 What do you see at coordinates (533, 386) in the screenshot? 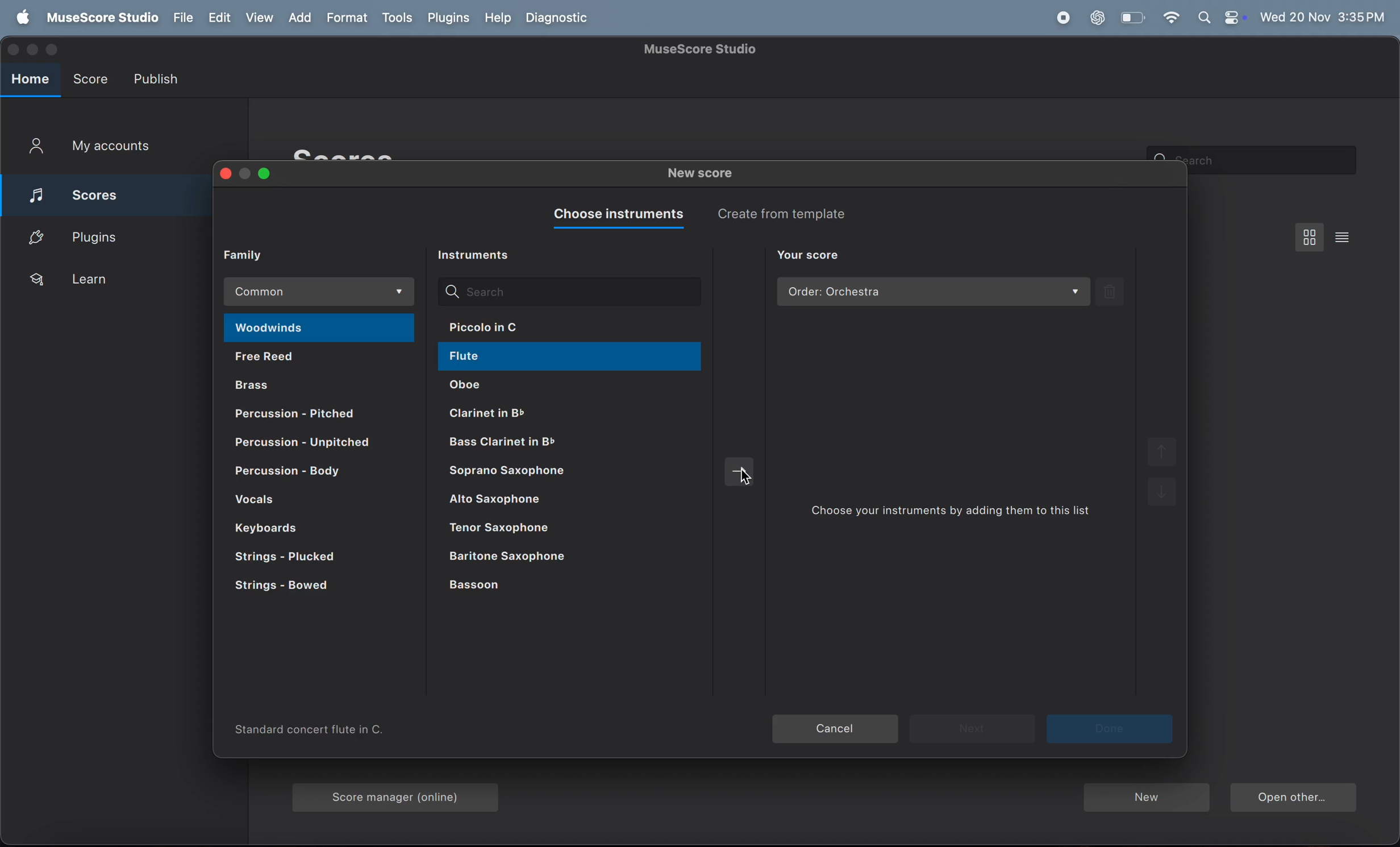
I see `oboe` at bounding box center [533, 386].